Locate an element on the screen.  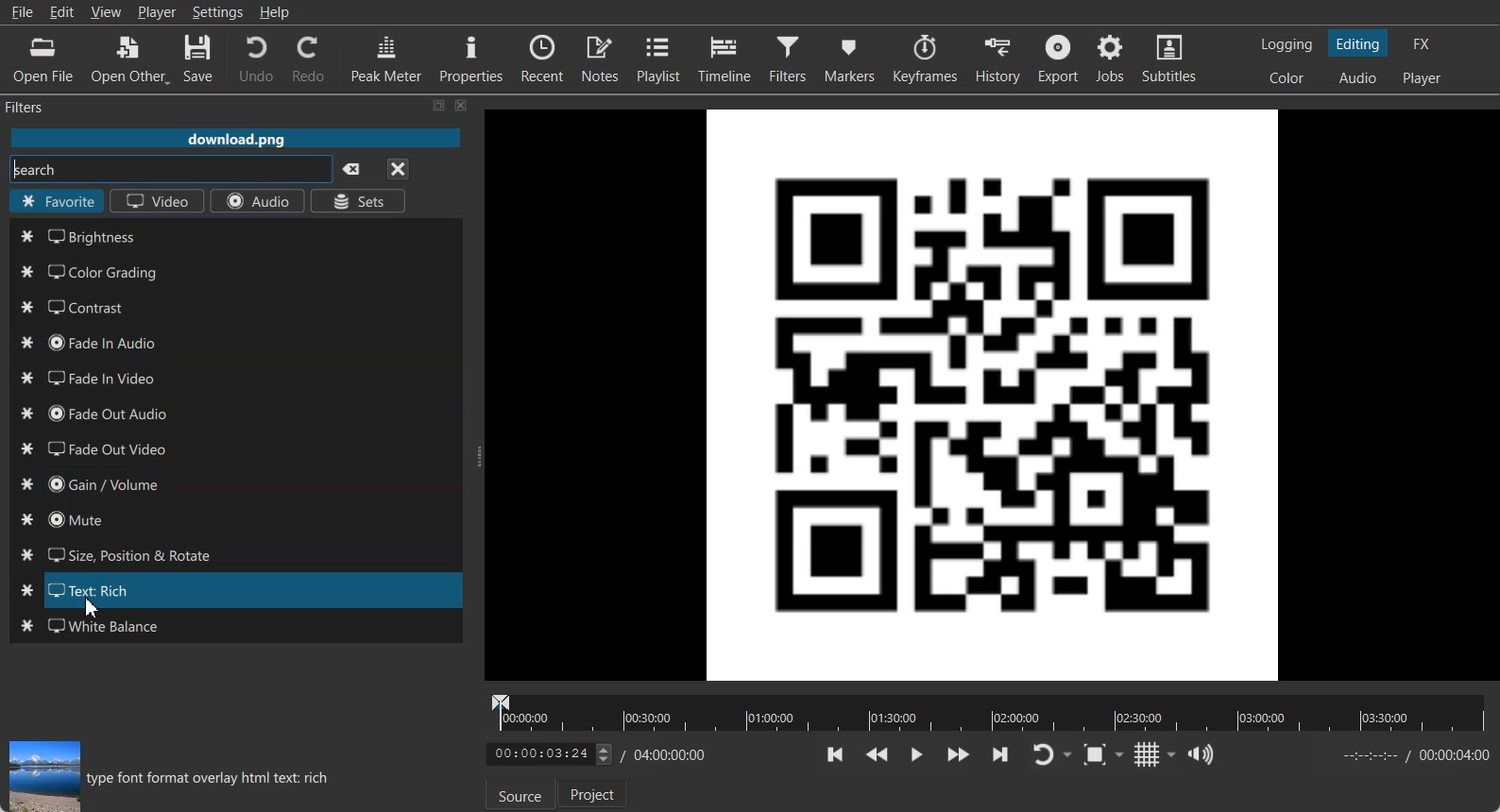
End time  is located at coordinates (1411, 755).